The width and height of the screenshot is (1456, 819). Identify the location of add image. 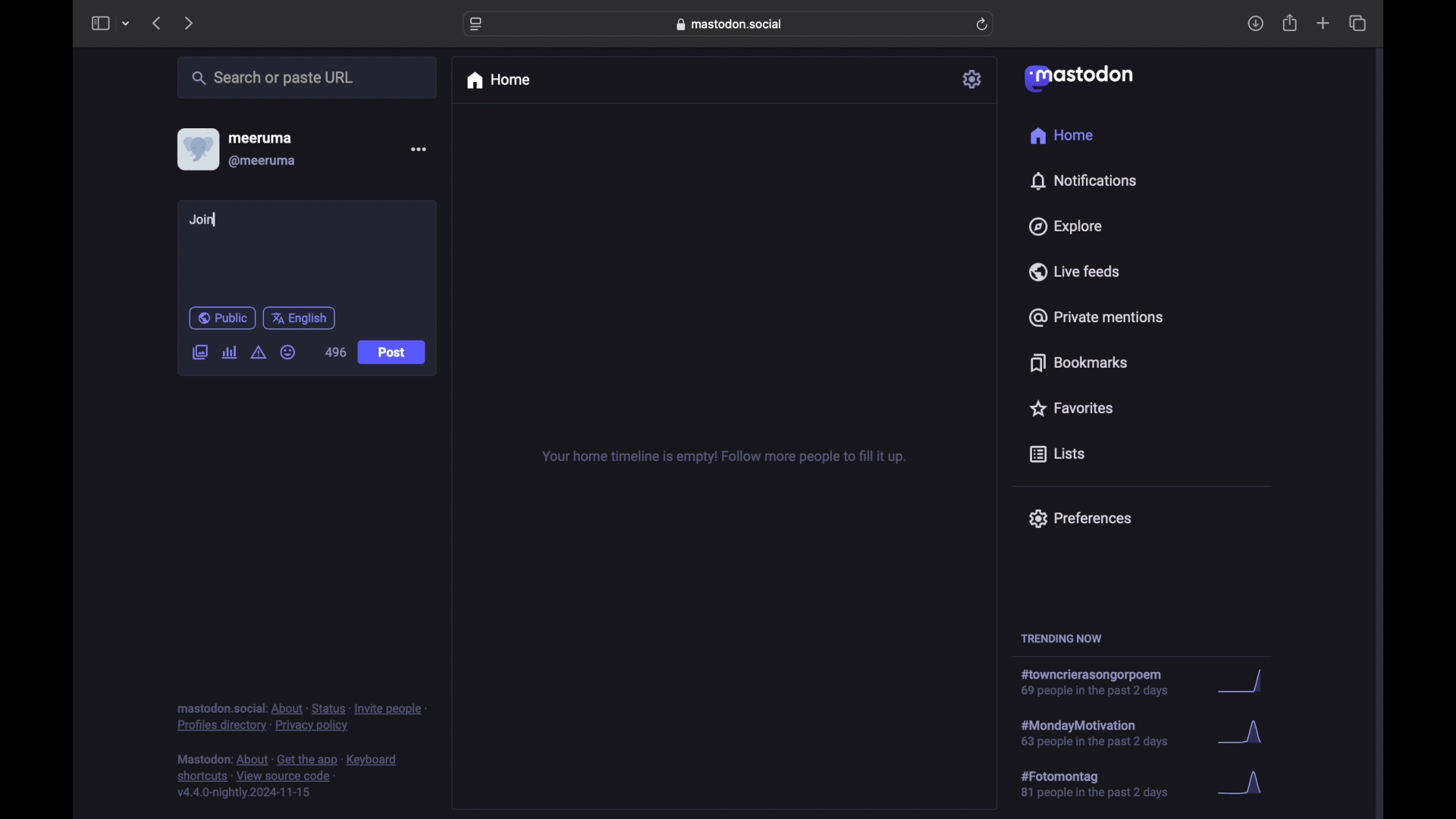
(199, 353).